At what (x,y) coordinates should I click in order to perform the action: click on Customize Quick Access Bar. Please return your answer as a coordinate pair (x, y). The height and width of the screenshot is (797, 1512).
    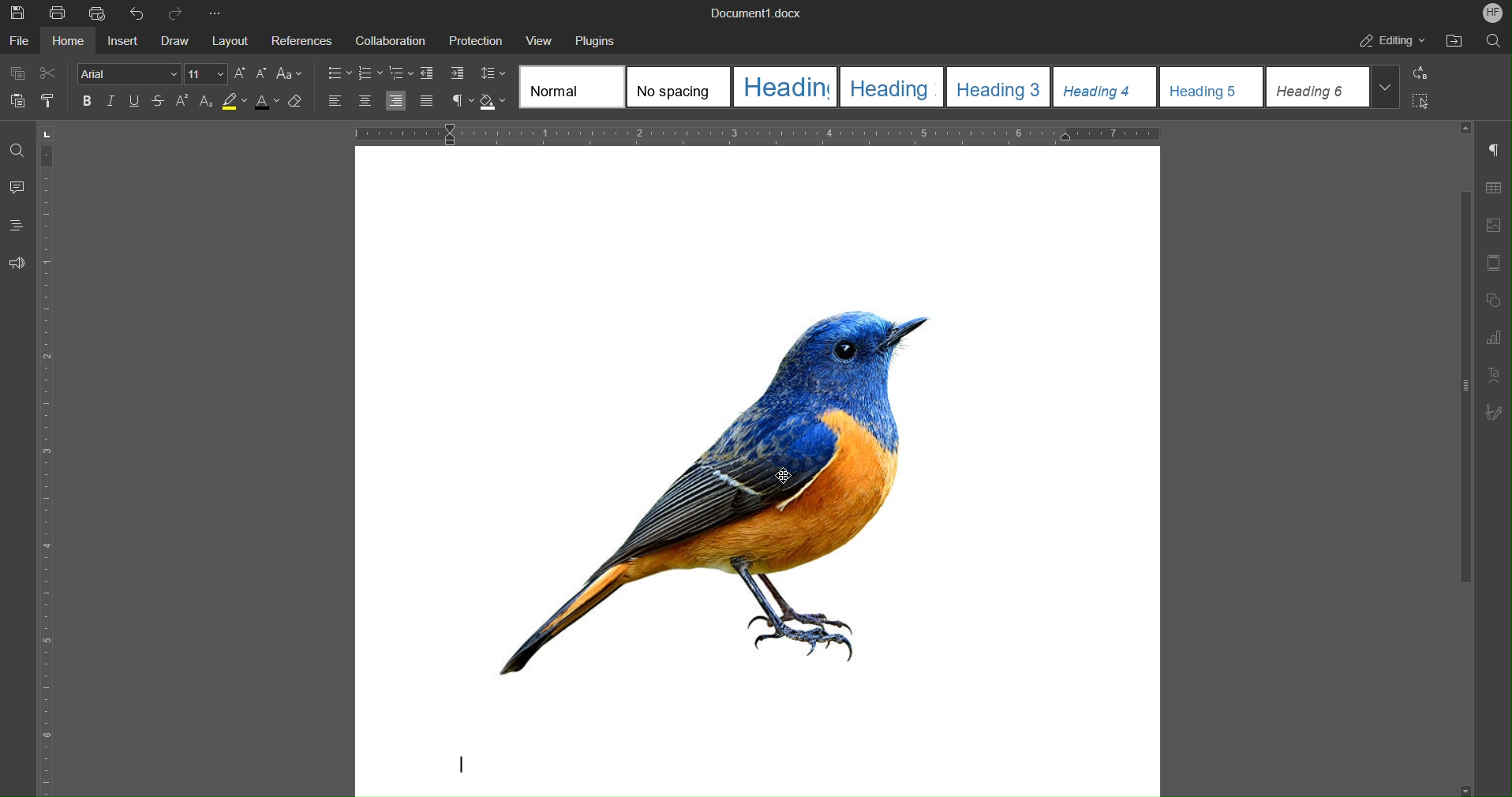
    Looking at the image, I should click on (214, 11).